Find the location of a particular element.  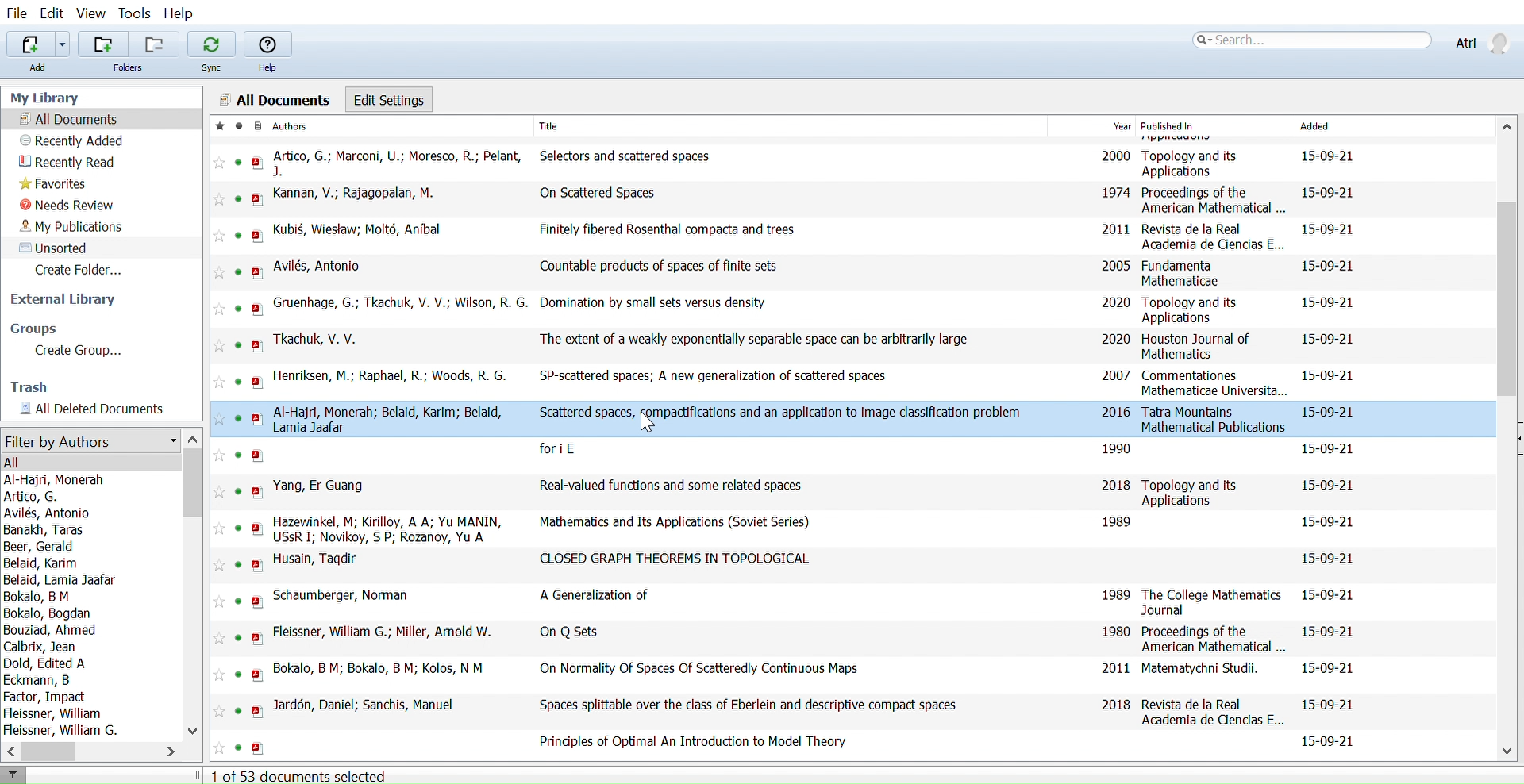

External Library is located at coordinates (70, 301).